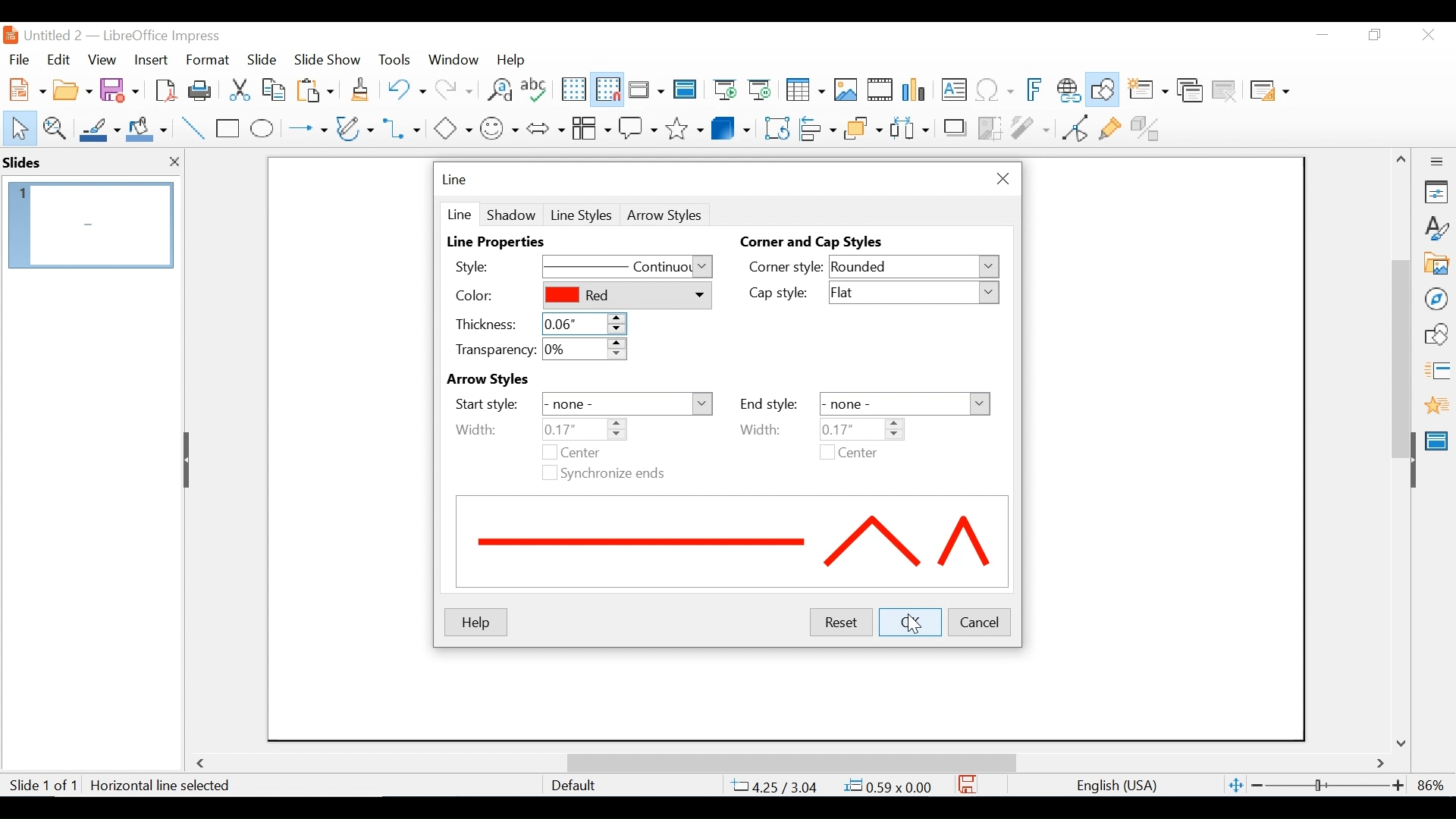  Describe the element at coordinates (98, 129) in the screenshot. I see `Line Color` at that location.